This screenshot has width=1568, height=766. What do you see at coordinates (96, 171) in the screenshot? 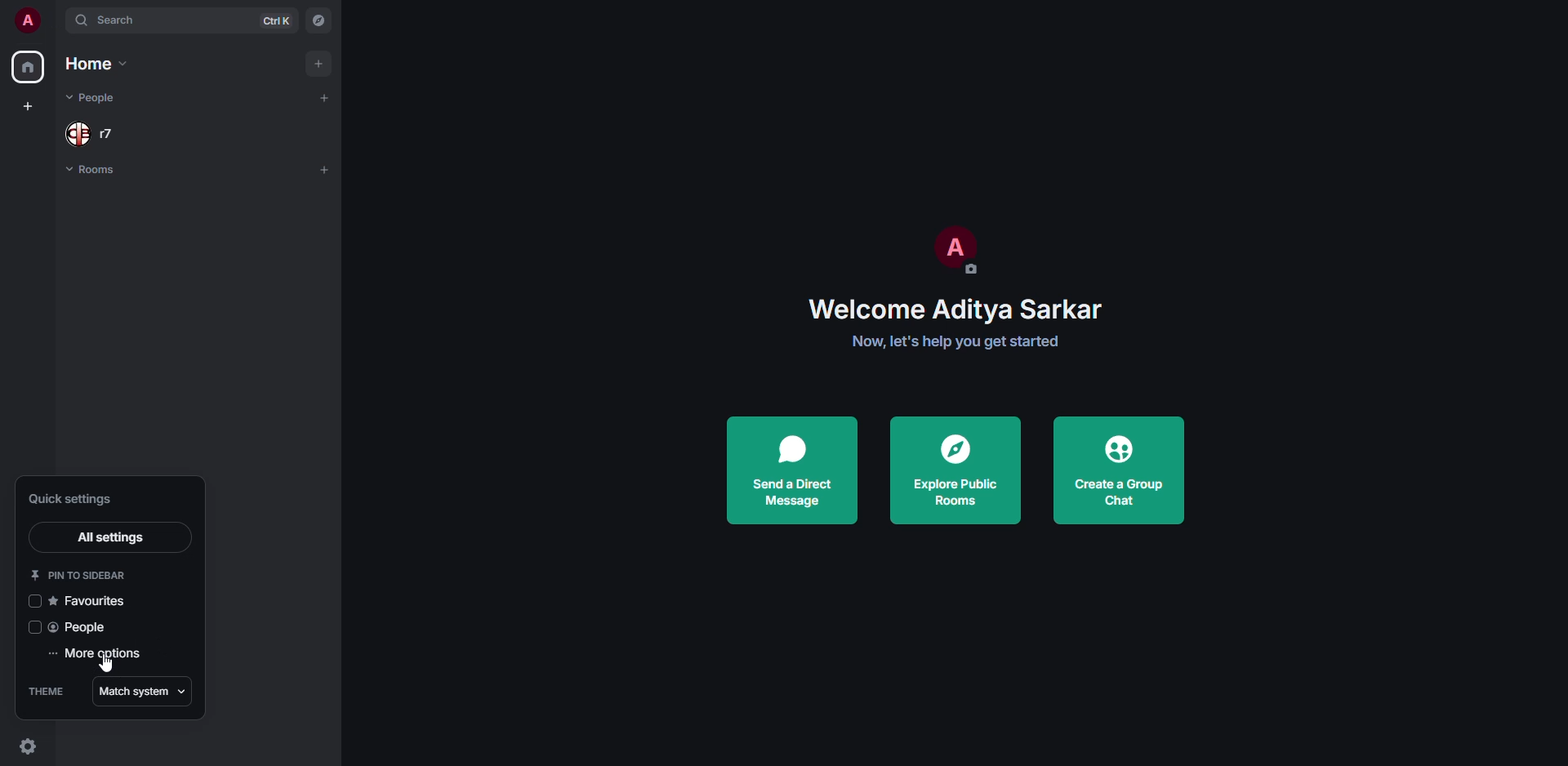
I see `rooms` at bounding box center [96, 171].